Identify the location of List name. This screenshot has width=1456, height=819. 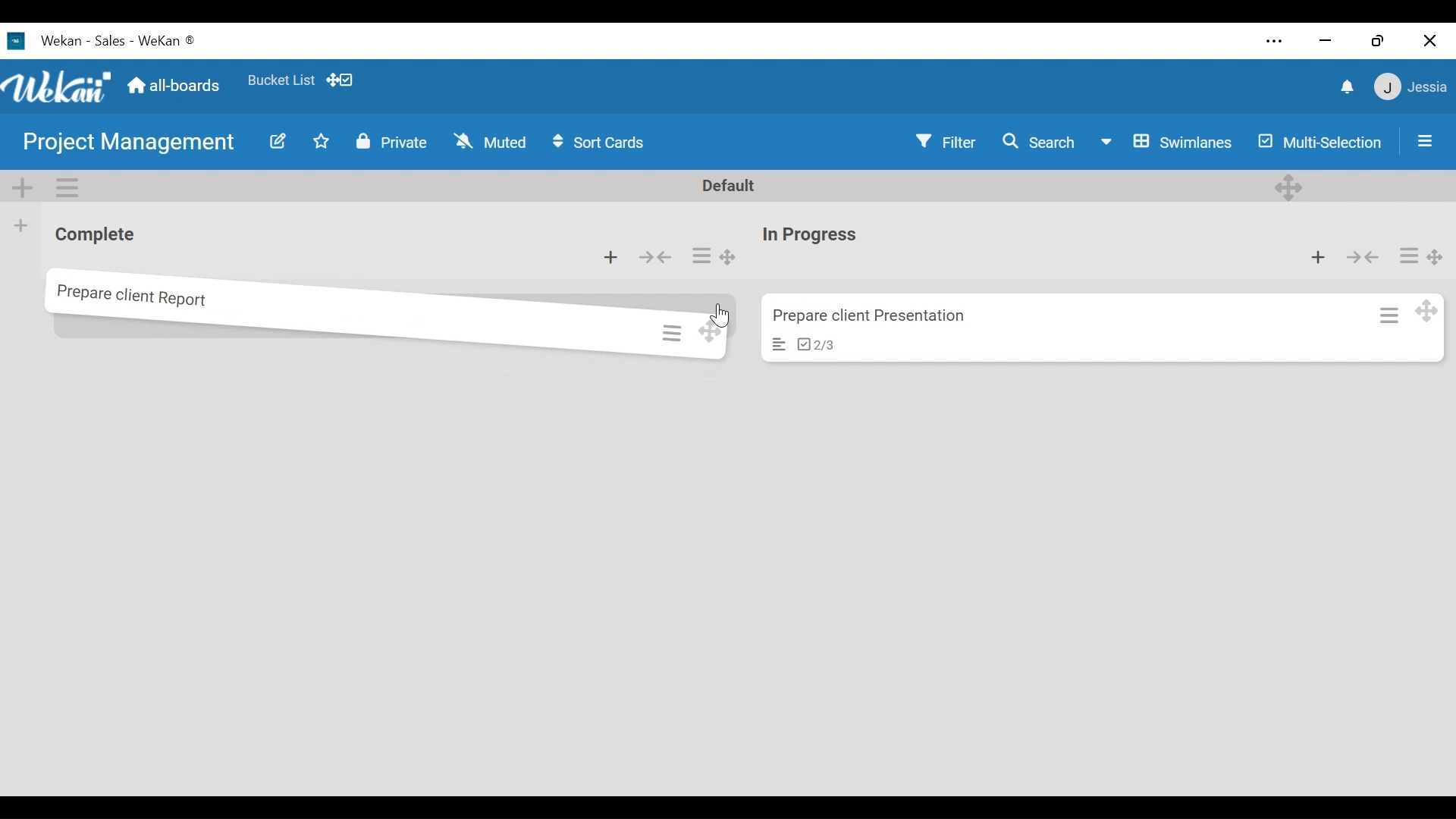
(811, 236).